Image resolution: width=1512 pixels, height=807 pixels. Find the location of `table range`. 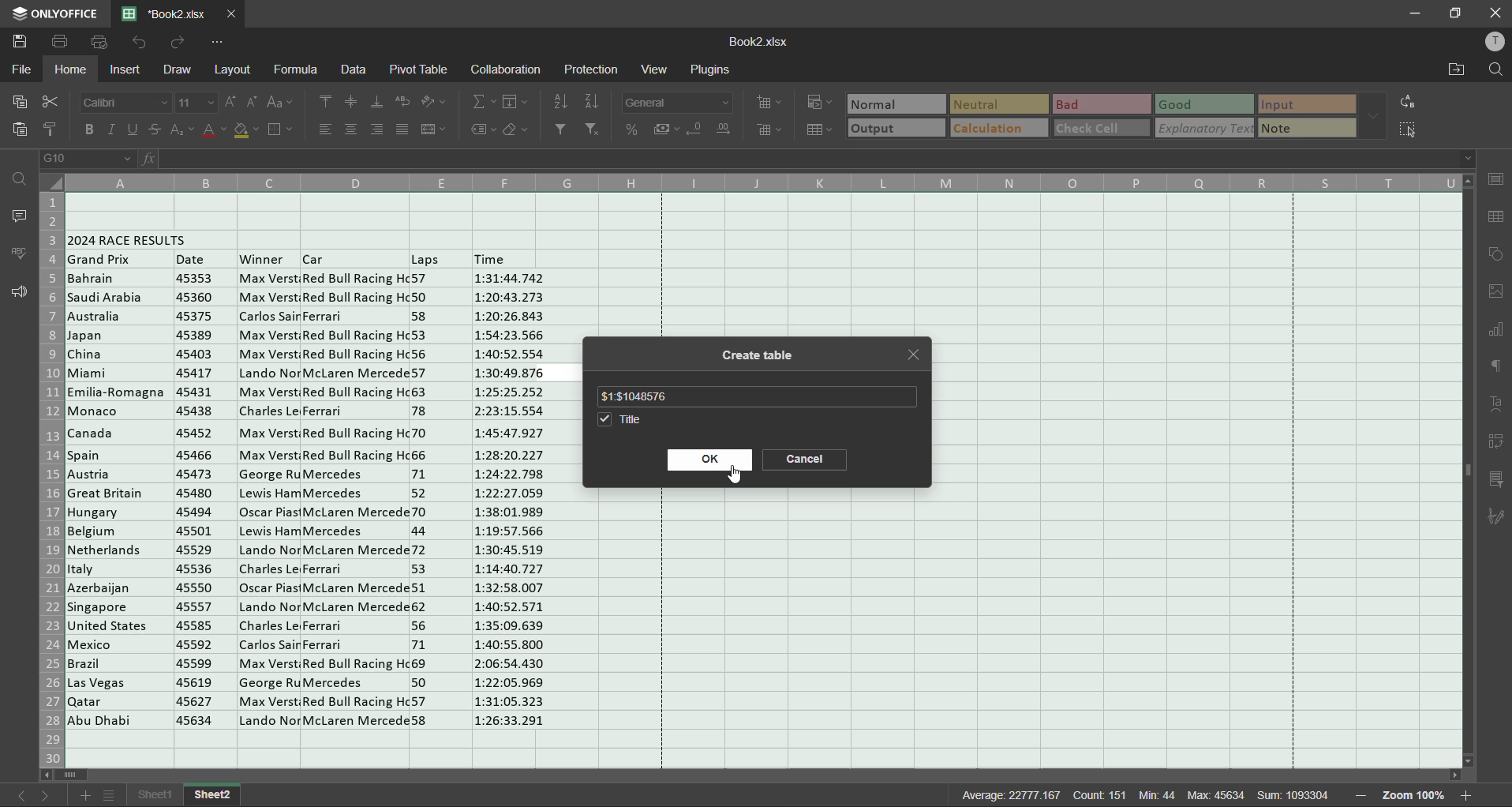

table range is located at coordinates (758, 395).